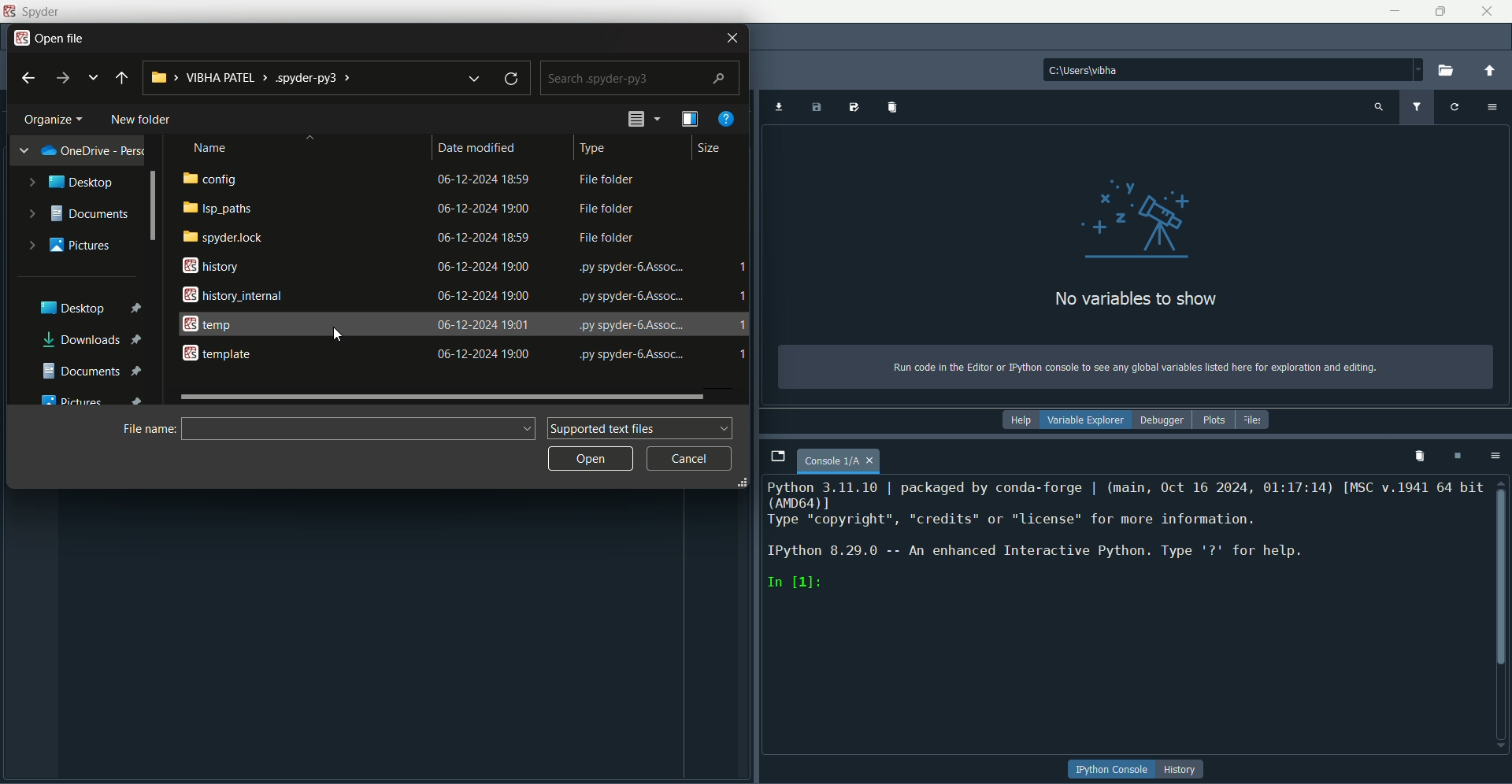 The width and height of the screenshot is (1512, 784). I want to click on config, so click(211, 179).